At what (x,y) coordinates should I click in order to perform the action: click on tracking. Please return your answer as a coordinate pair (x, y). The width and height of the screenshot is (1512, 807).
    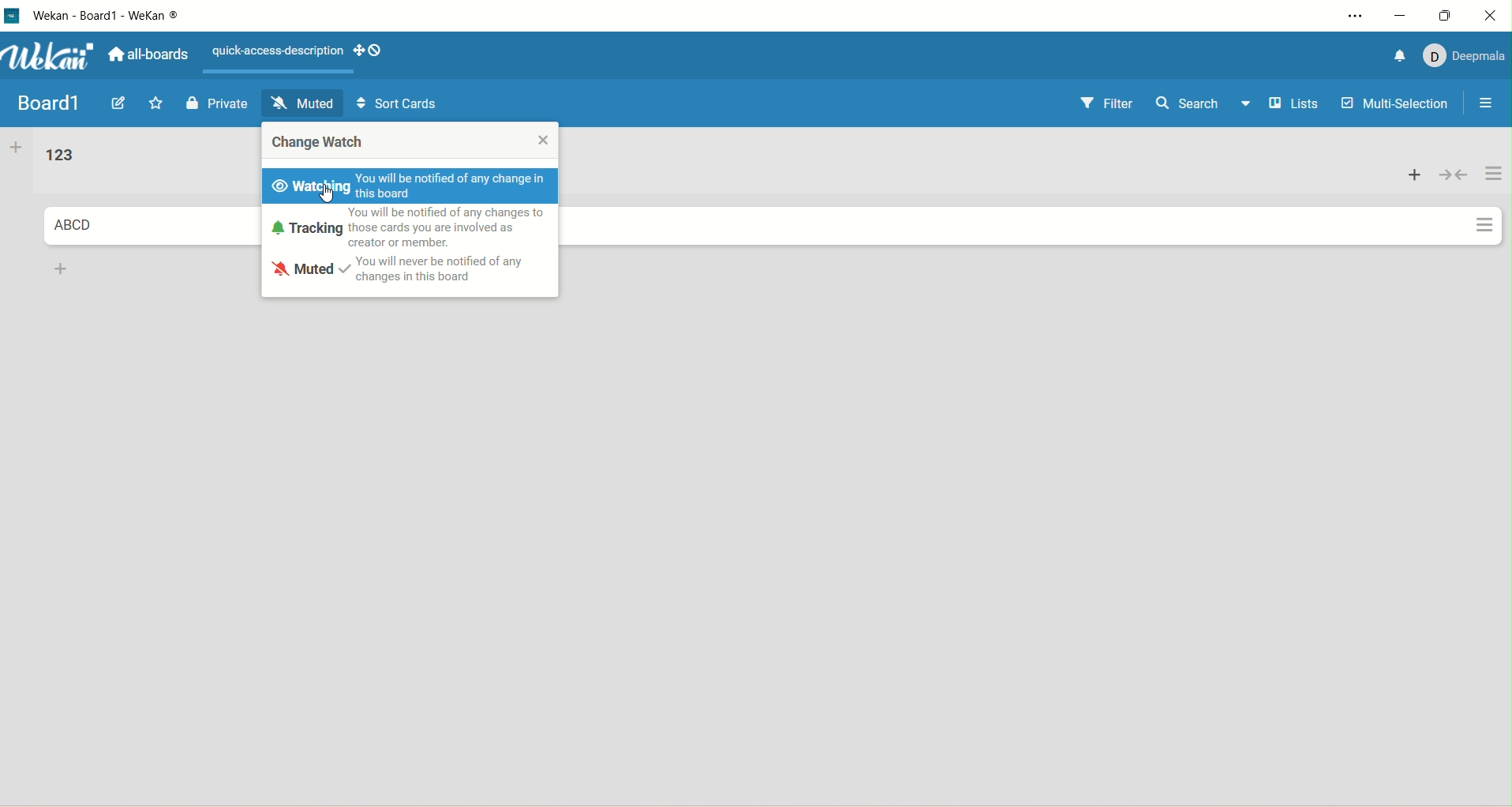
    Looking at the image, I should click on (305, 227).